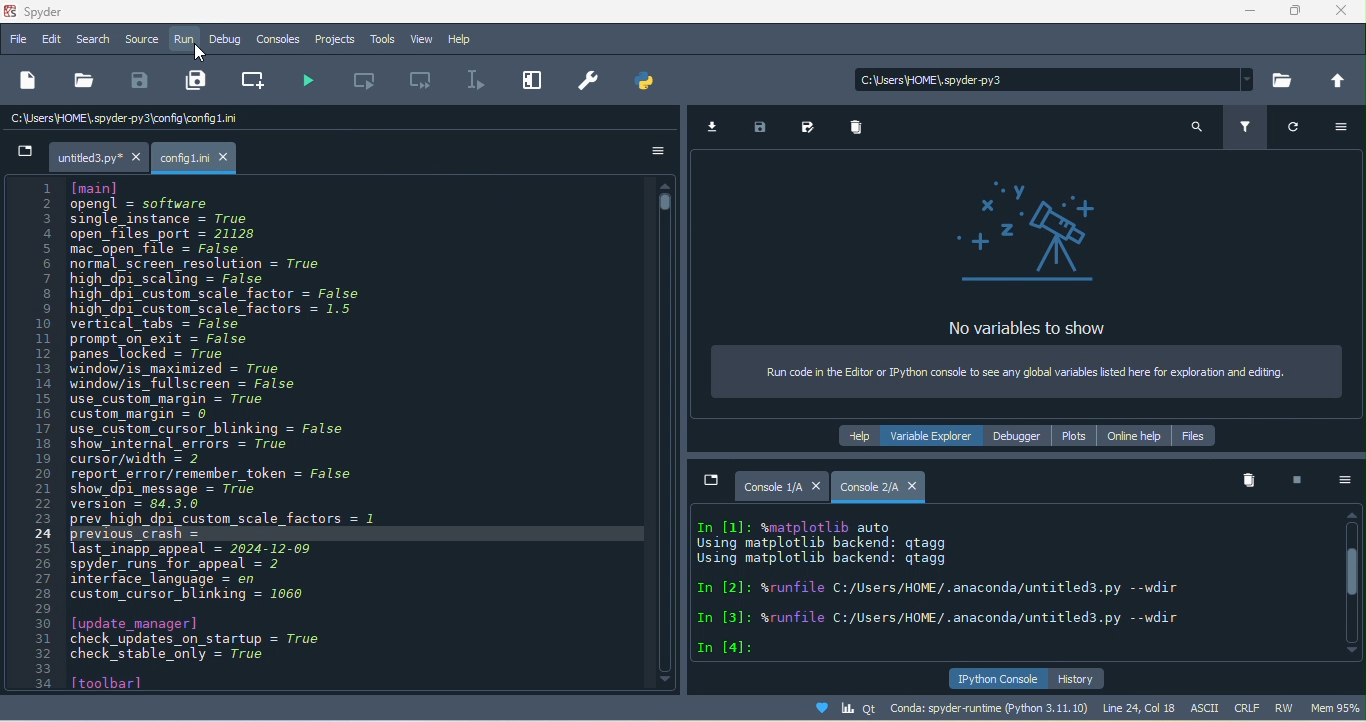 This screenshot has width=1366, height=722. Describe the element at coordinates (360, 80) in the screenshot. I see `run current cell` at that location.